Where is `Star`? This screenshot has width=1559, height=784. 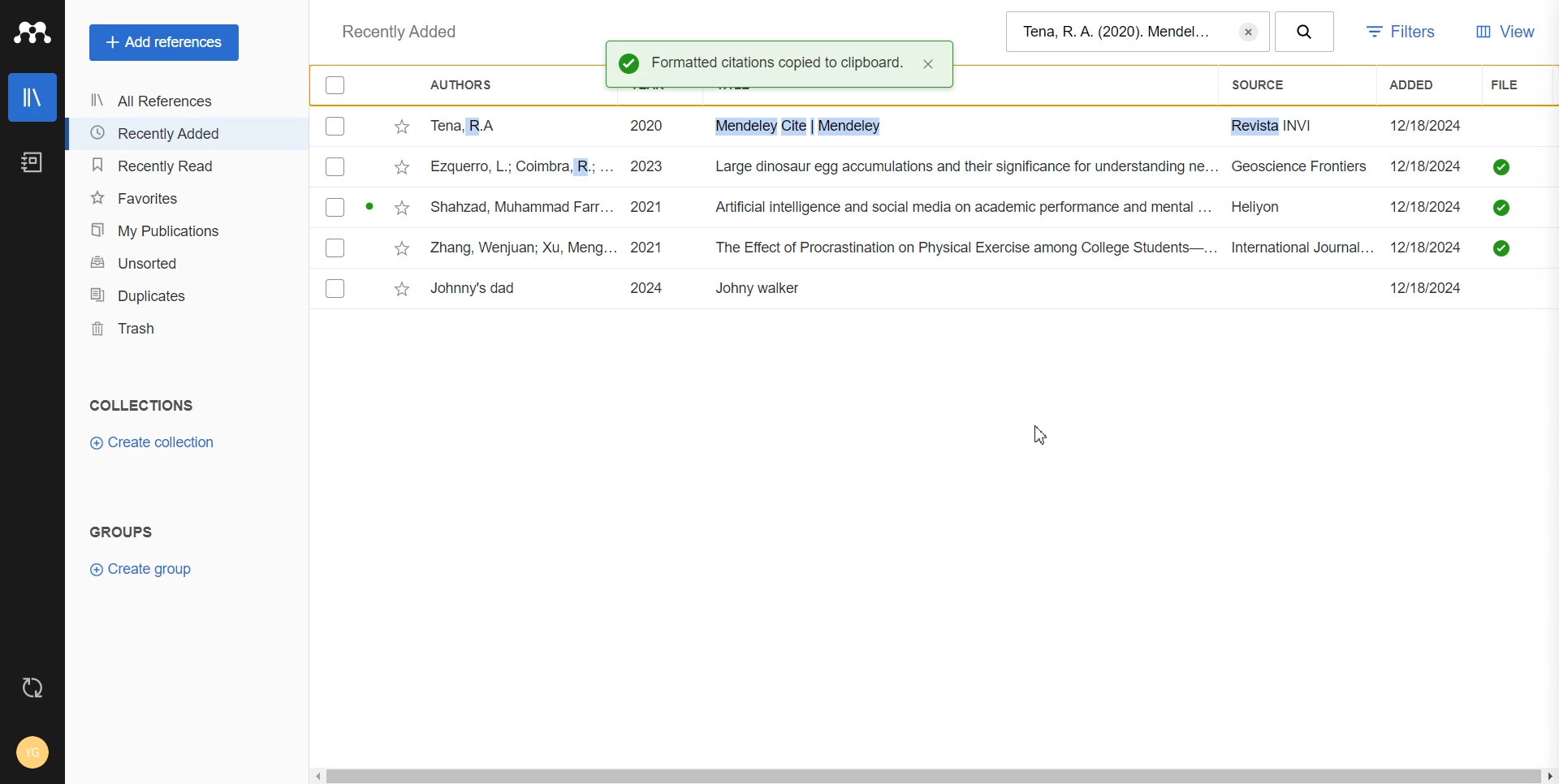 Star is located at coordinates (403, 166).